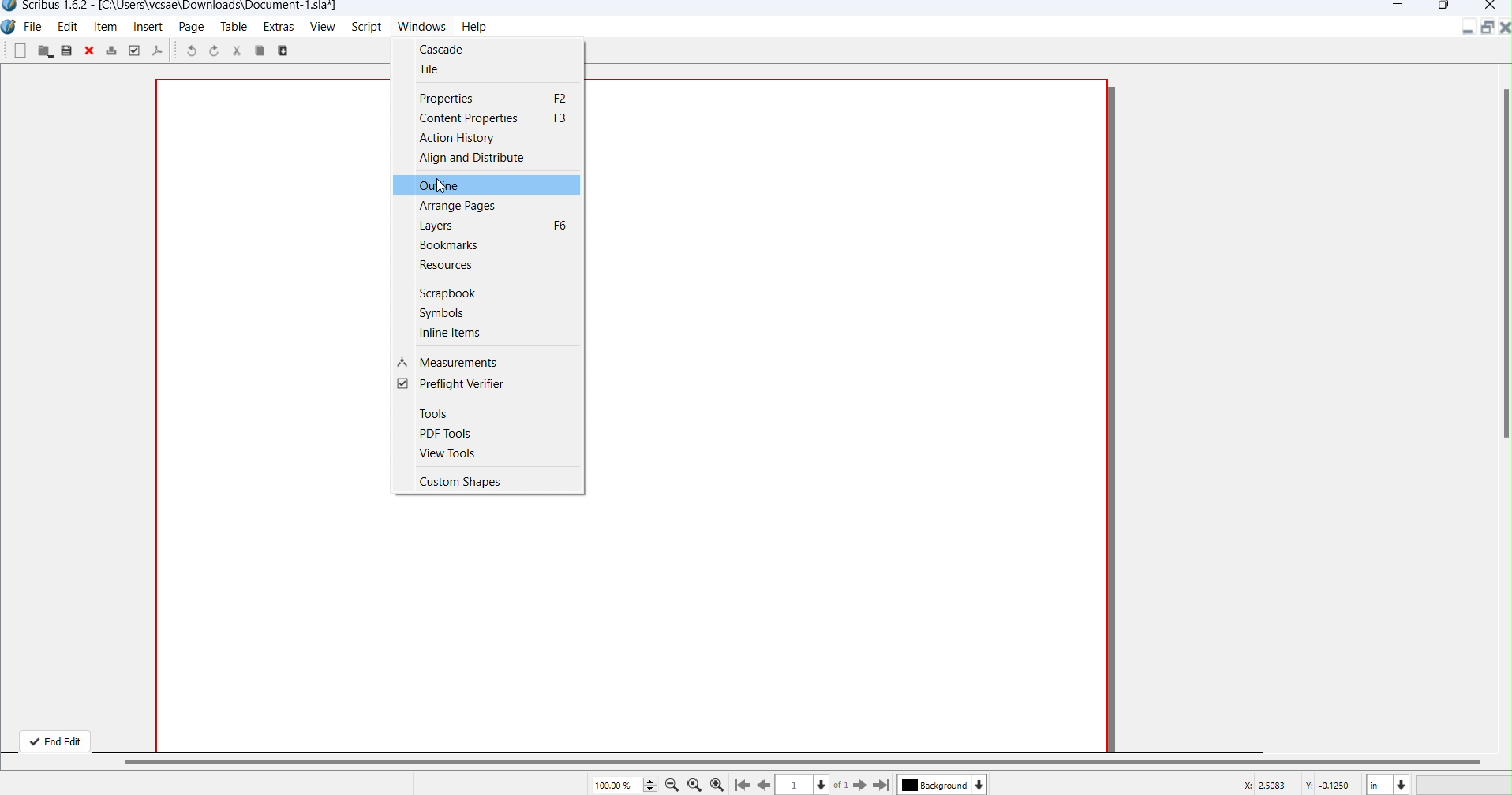 The image size is (1512, 795). What do you see at coordinates (424, 26) in the screenshot?
I see `Window` at bounding box center [424, 26].